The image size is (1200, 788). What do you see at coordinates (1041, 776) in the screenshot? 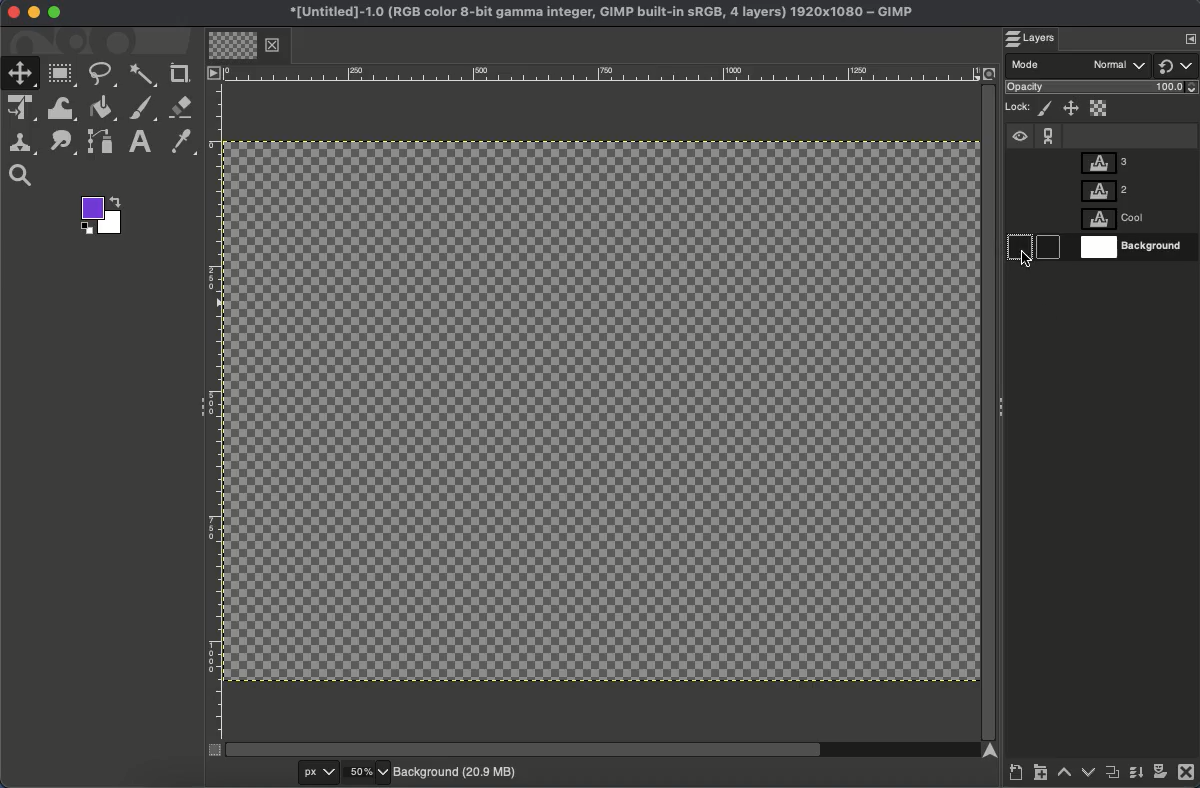
I see `Create new layer group` at bounding box center [1041, 776].